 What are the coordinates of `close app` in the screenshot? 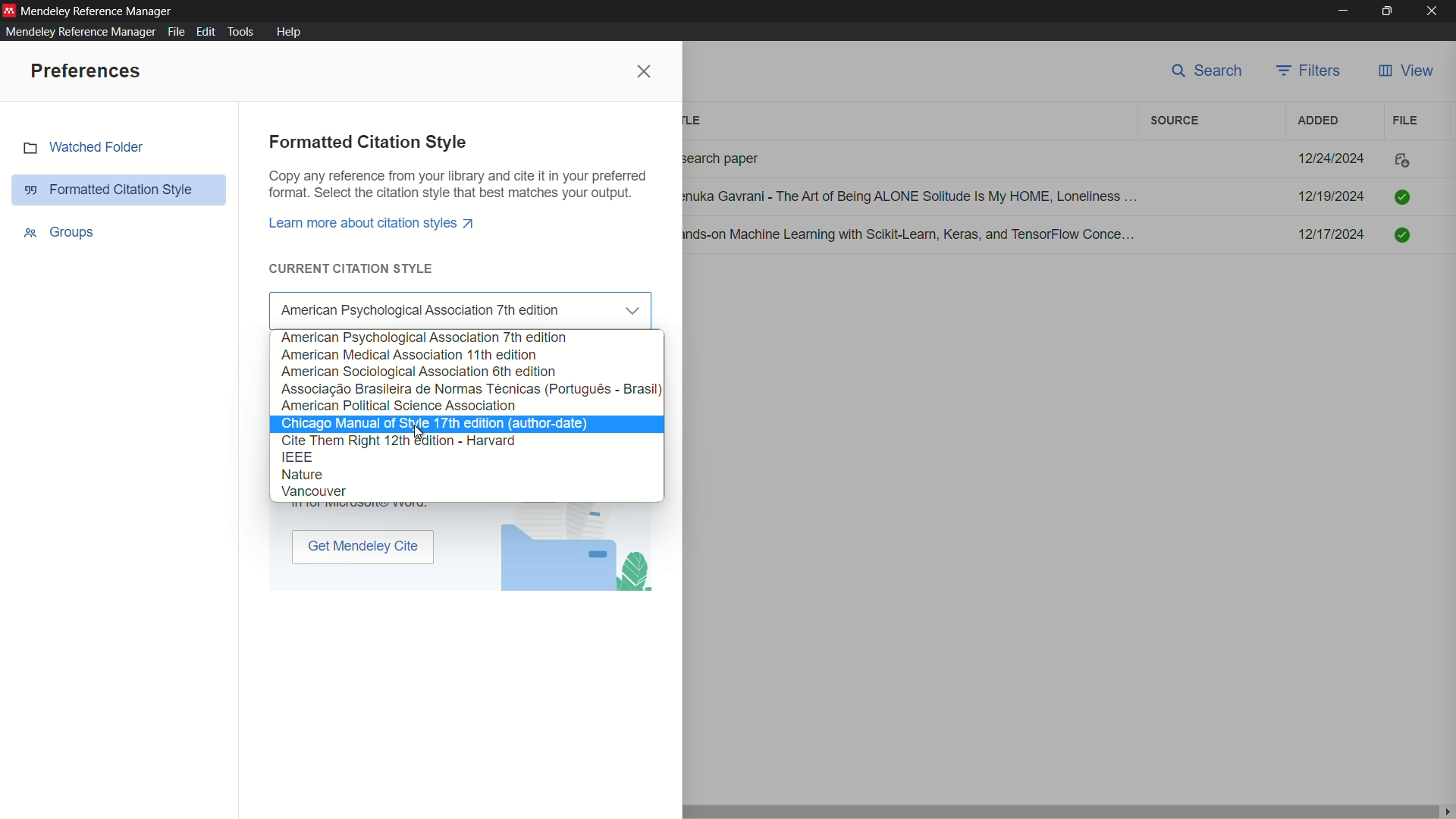 It's located at (1436, 11).